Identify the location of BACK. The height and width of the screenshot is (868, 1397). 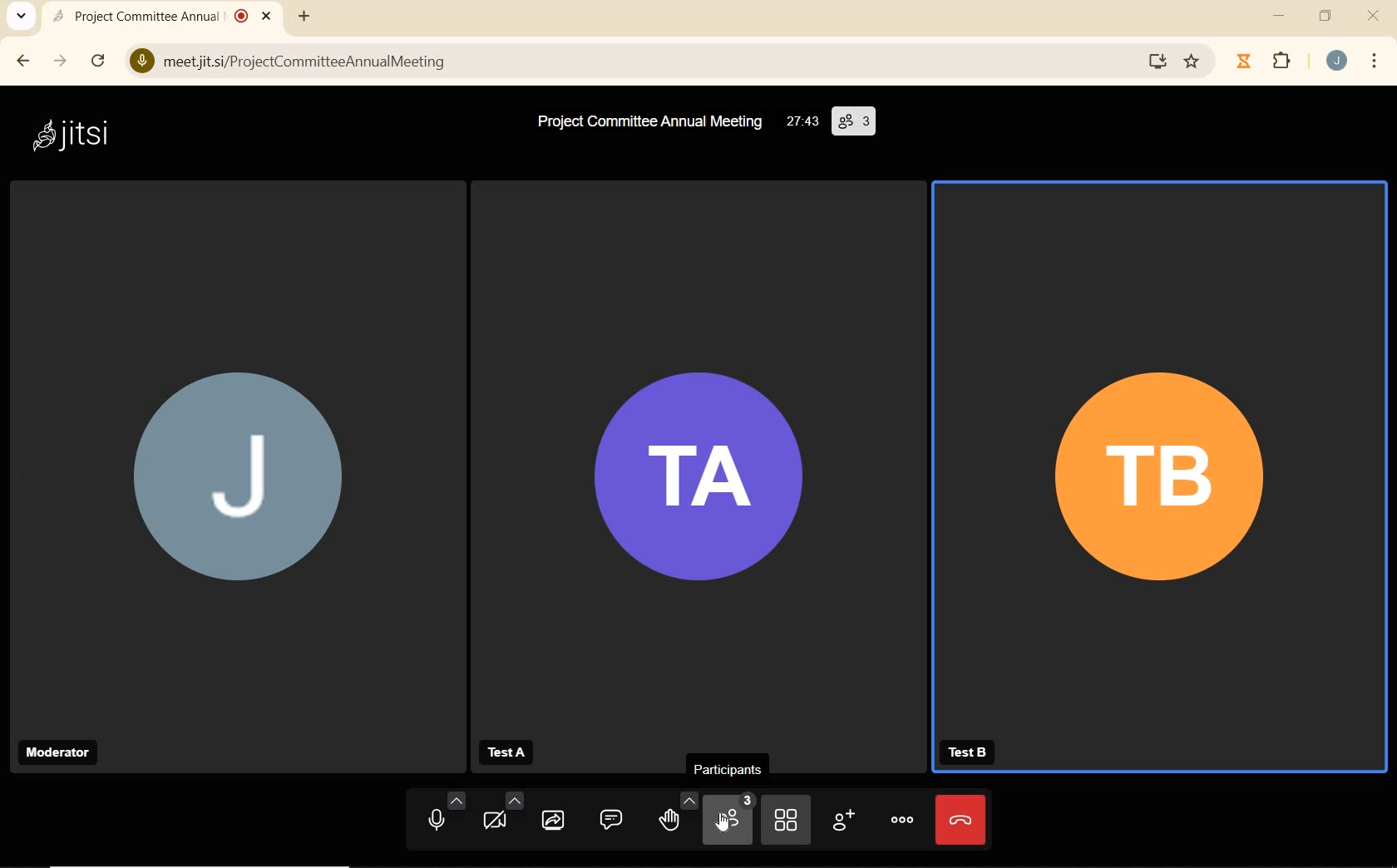
(24, 62).